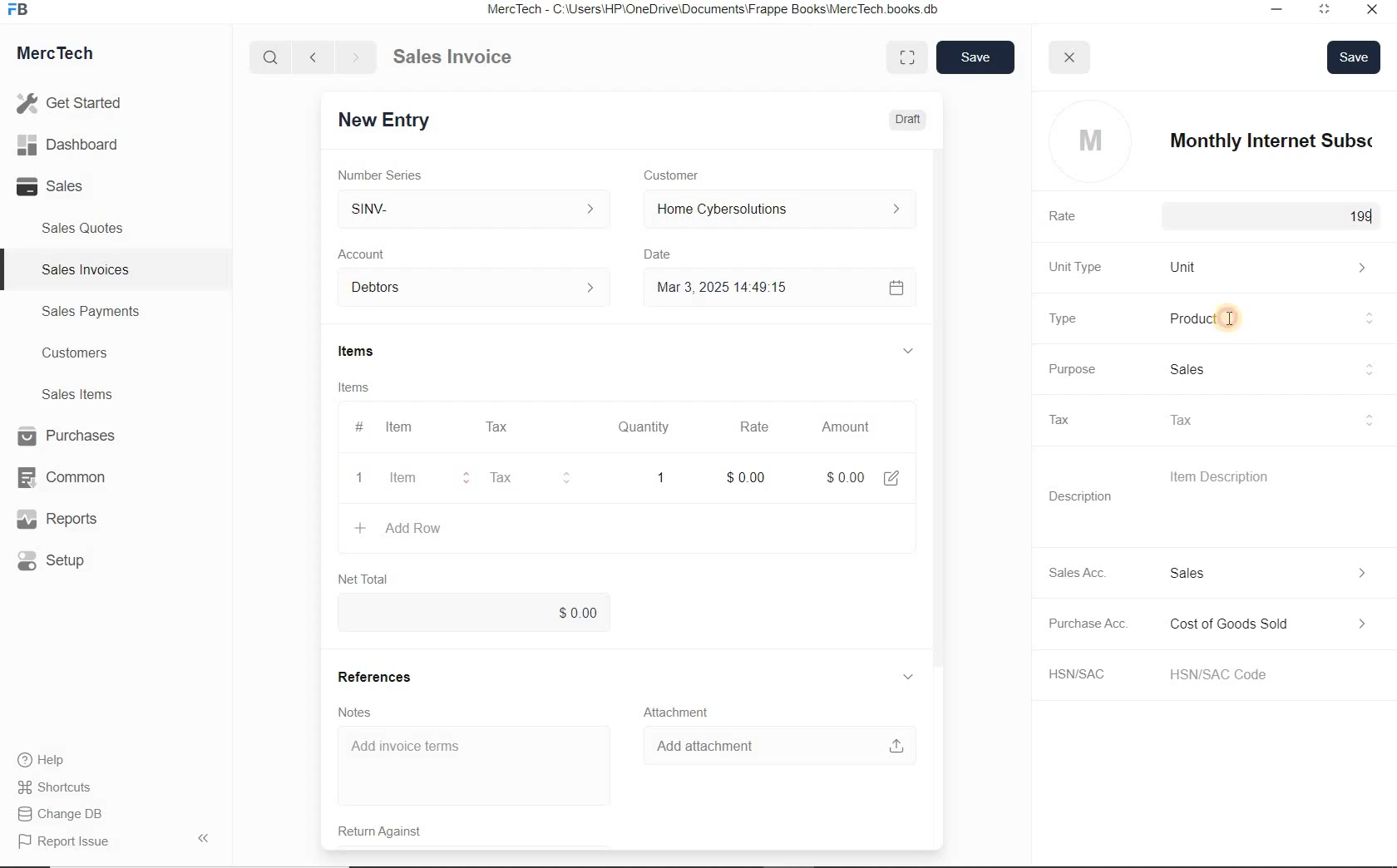  What do you see at coordinates (401, 427) in the screenshot?
I see `Item` at bounding box center [401, 427].